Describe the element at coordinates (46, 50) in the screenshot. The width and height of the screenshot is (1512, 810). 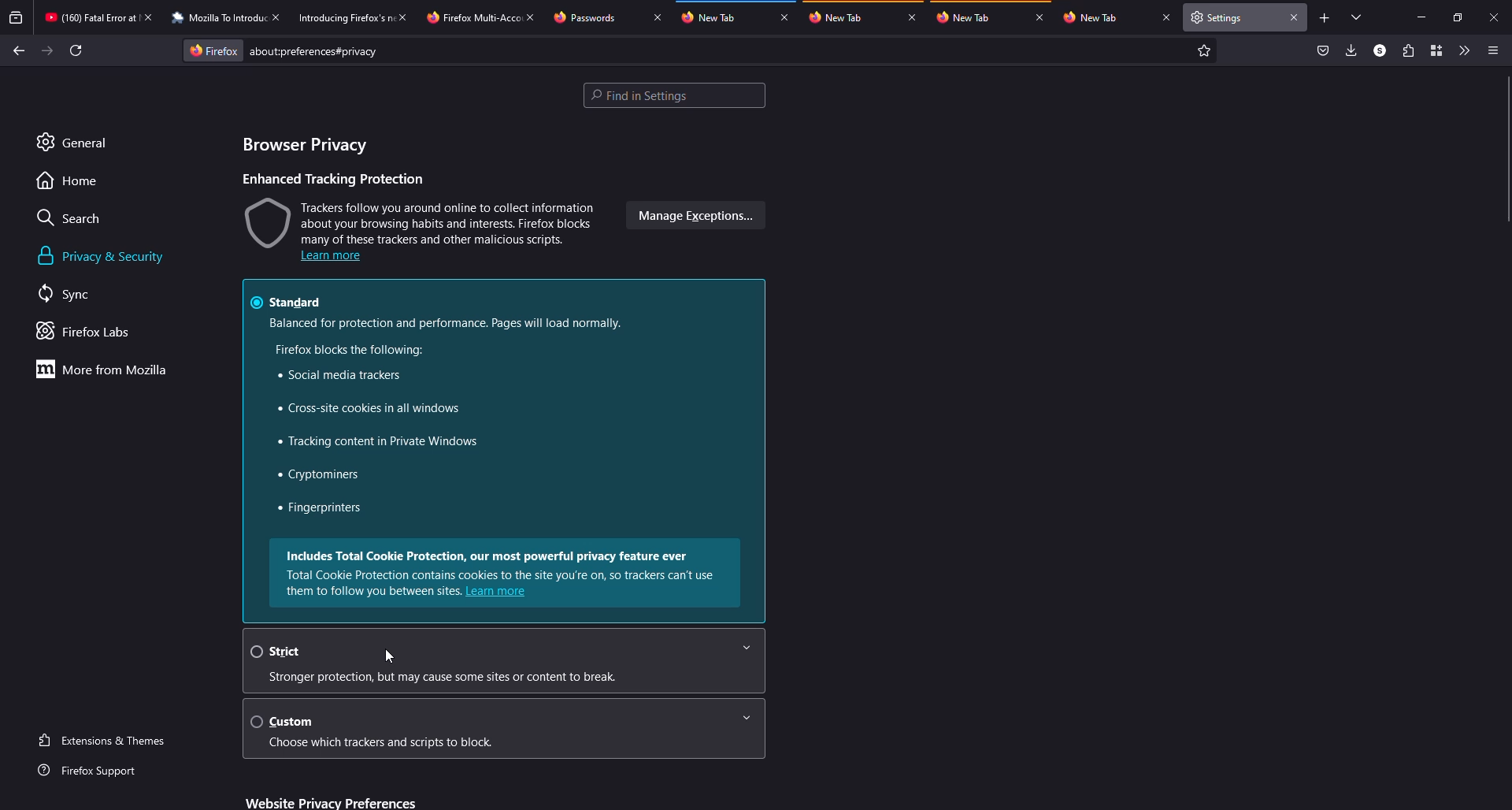
I see `forward` at that location.